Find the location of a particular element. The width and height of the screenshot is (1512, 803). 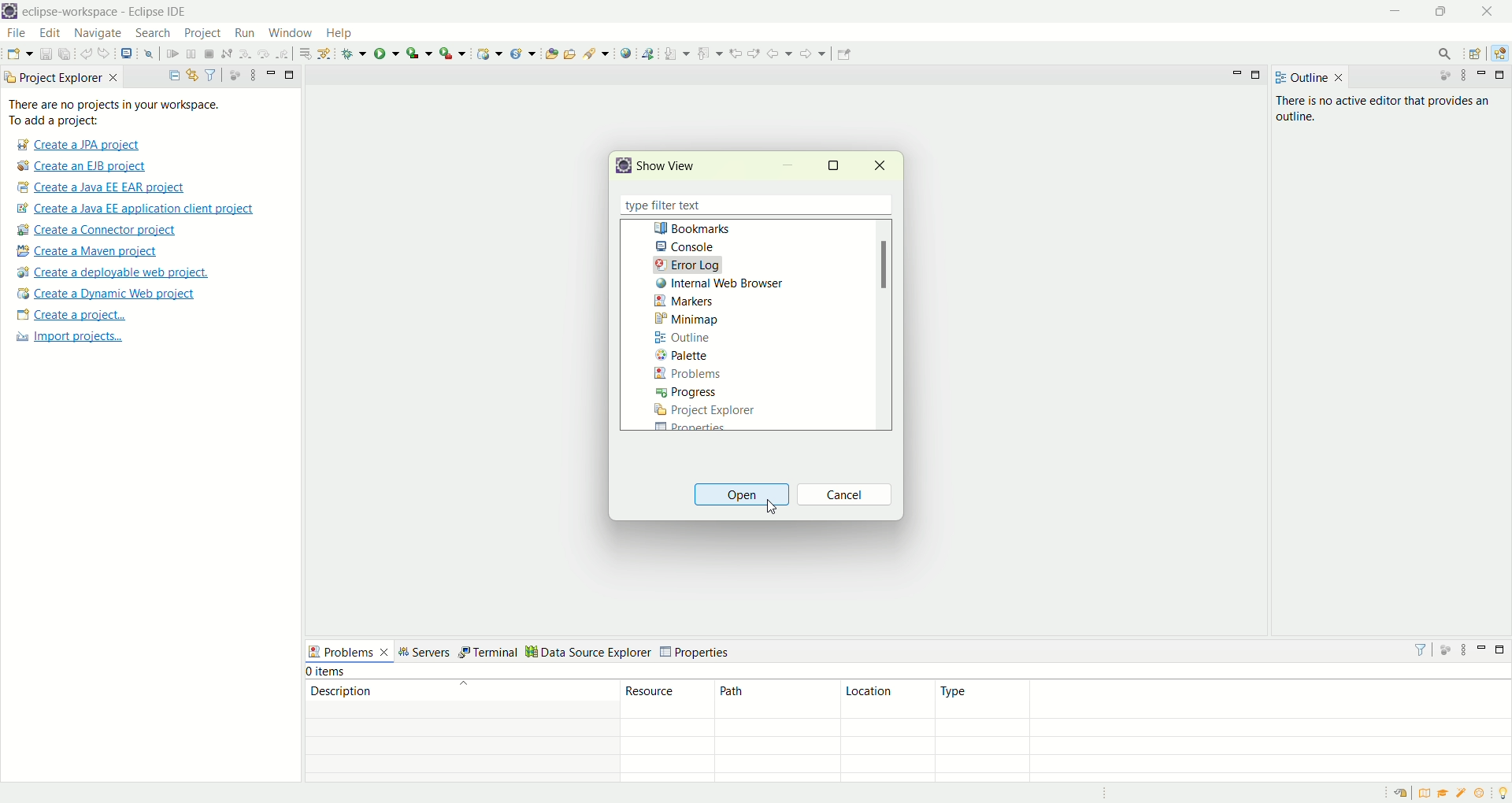

overview is located at coordinates (1422, 794).